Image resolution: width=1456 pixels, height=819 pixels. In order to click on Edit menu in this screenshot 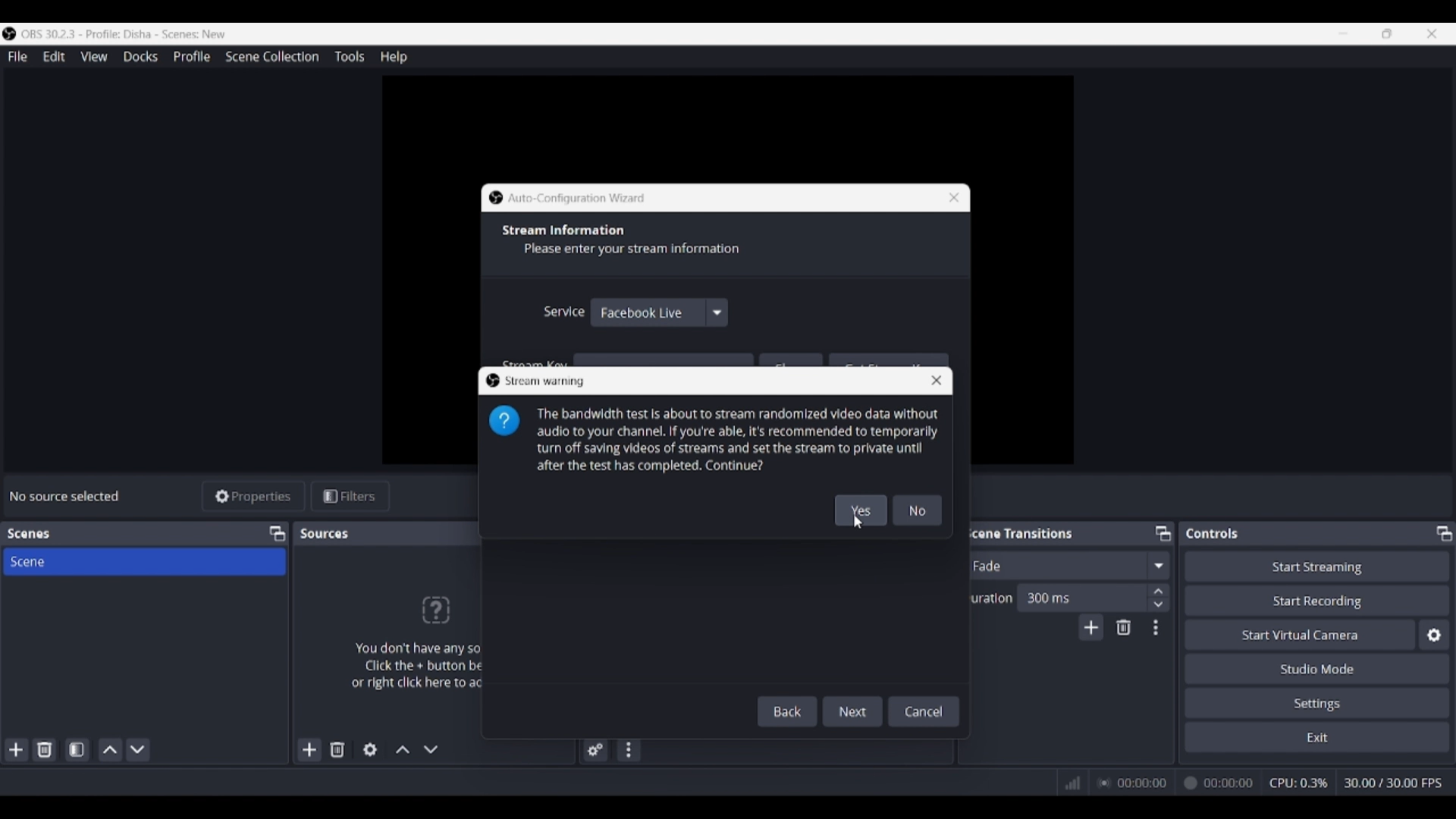, I will do `click(53, 57)`.